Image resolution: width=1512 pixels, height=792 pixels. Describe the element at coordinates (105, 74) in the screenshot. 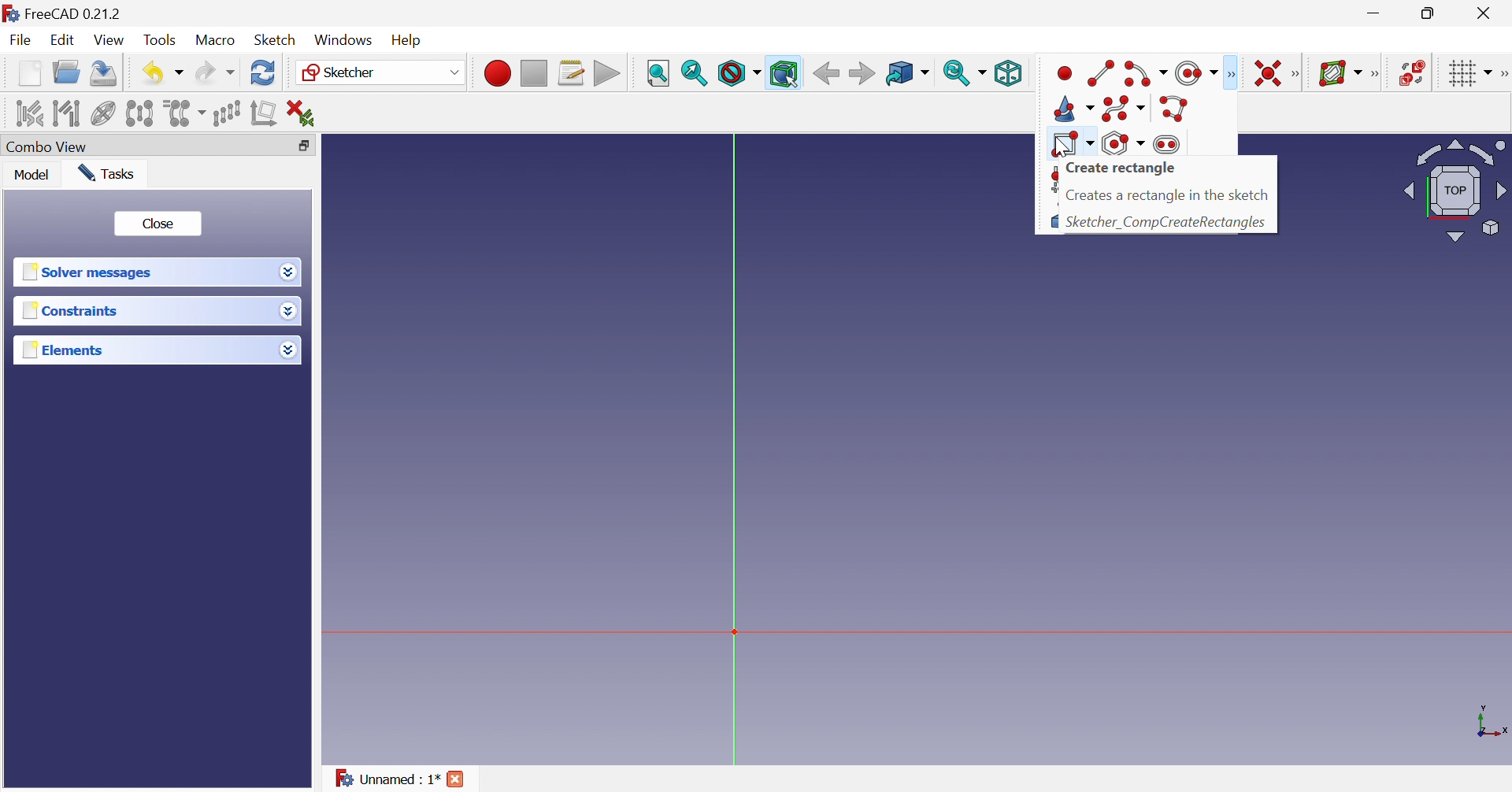

I see `Save` at that location.